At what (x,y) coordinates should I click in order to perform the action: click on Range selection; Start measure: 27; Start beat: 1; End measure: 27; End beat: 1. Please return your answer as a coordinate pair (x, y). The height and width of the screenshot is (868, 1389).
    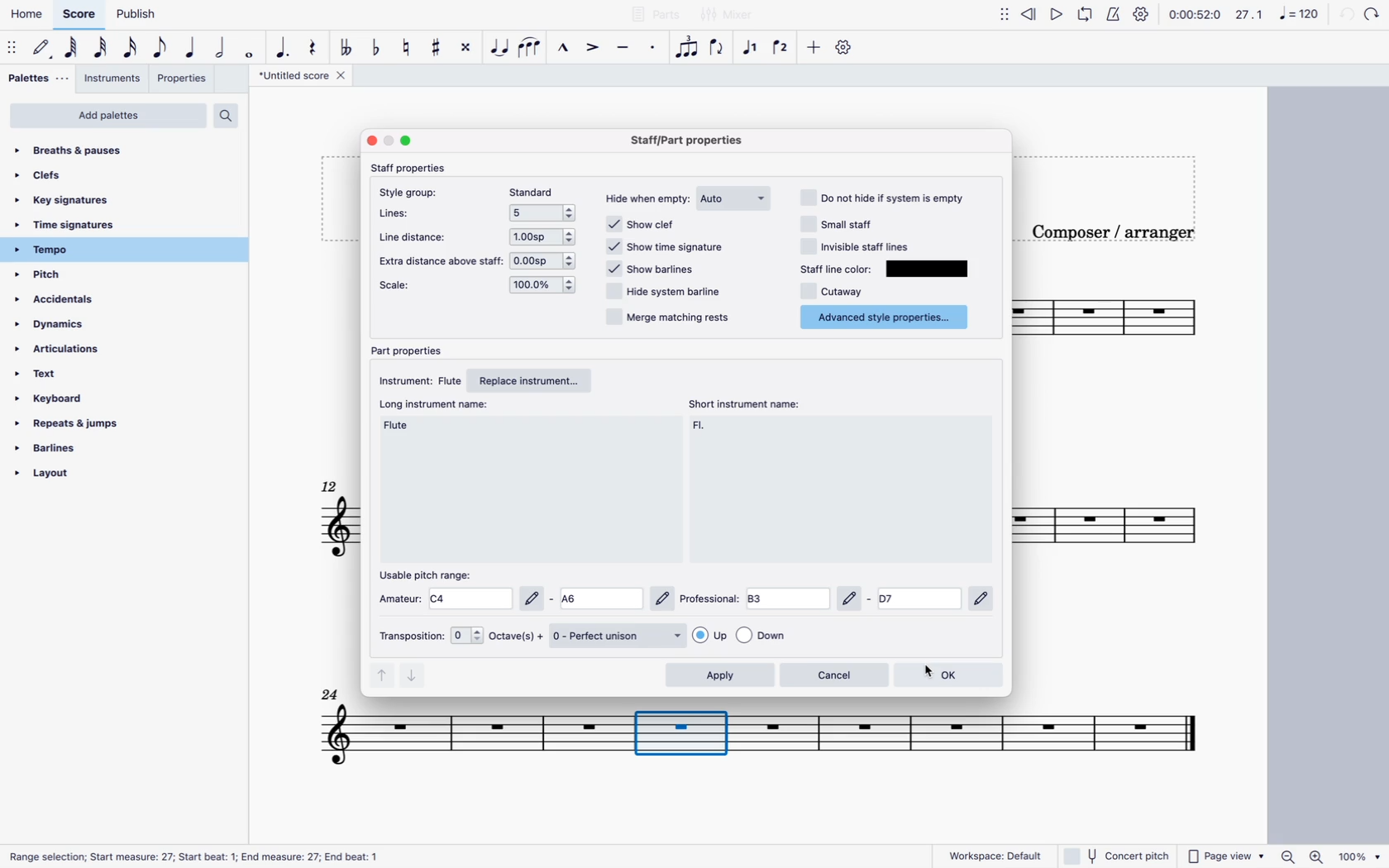
    Looking at the image, I should click on (197, 856).